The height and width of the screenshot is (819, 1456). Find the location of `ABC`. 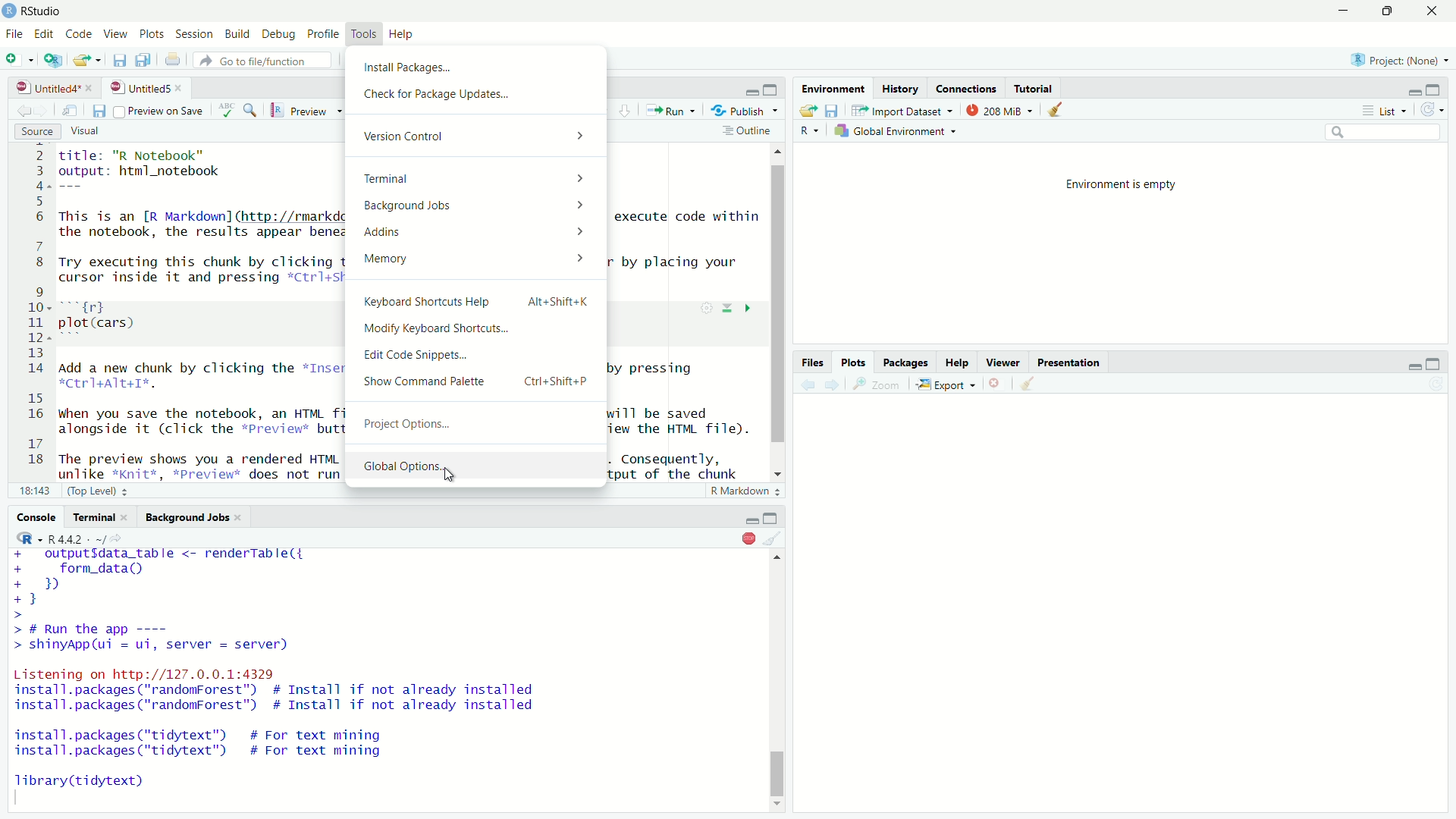

ABC is located at coordinates (237, 110).